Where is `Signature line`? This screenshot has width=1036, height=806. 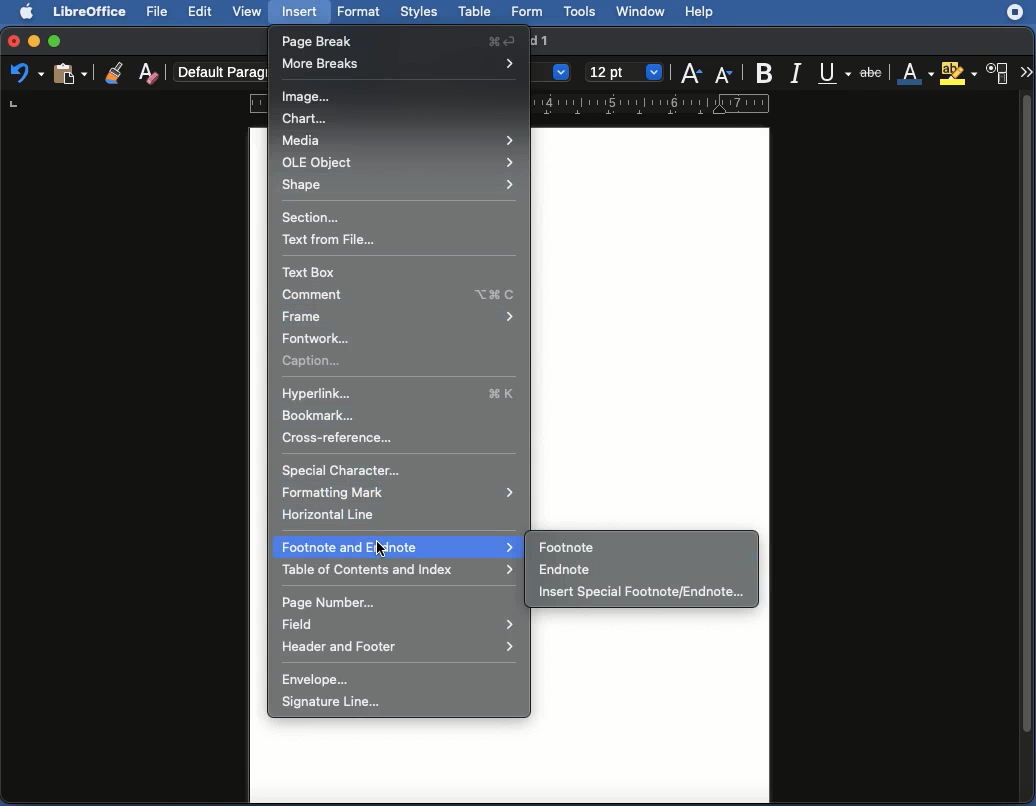 Signature line is located at coordinates (341, 701).